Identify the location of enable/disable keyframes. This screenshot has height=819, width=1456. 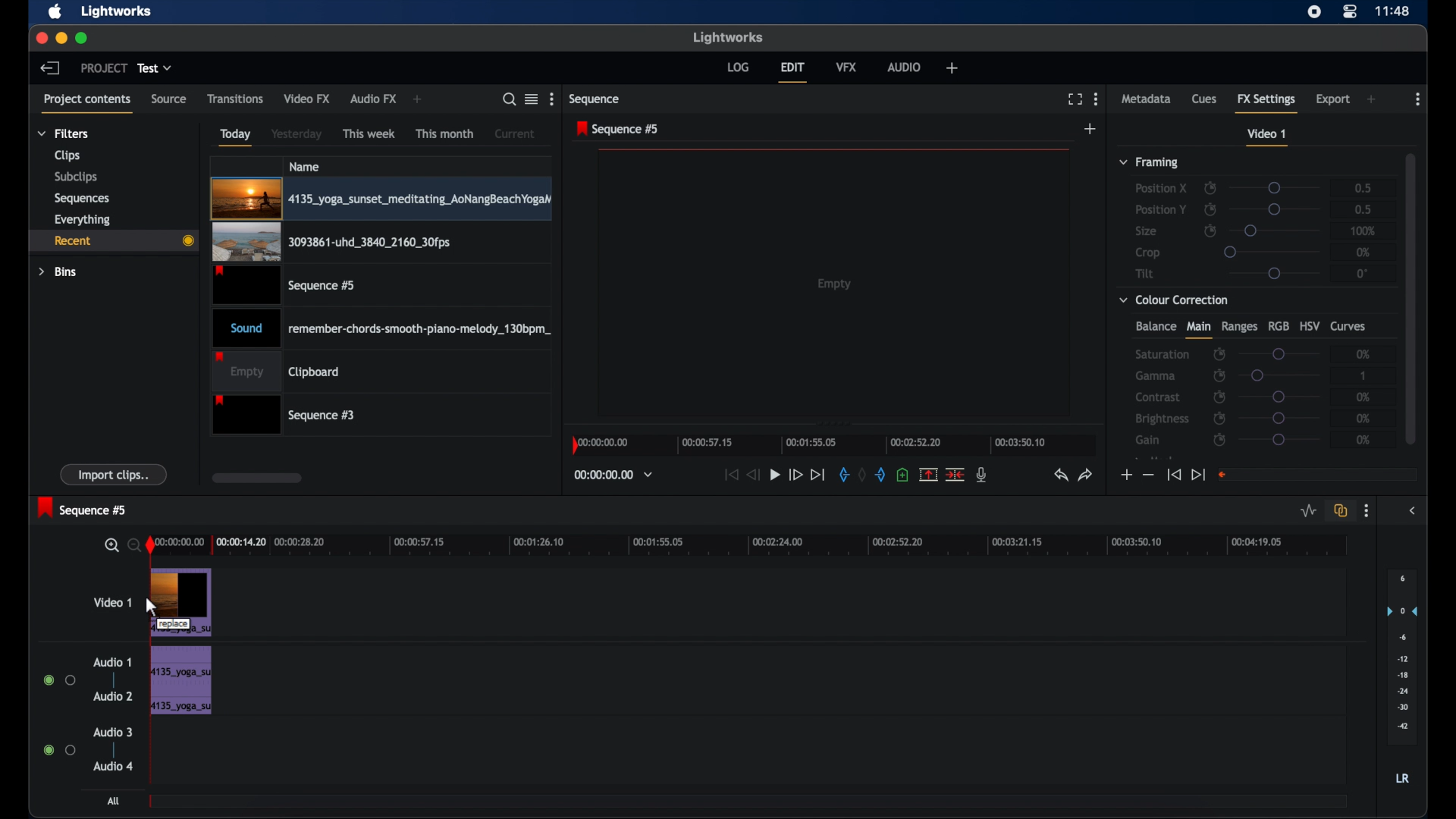
(1210, 188).